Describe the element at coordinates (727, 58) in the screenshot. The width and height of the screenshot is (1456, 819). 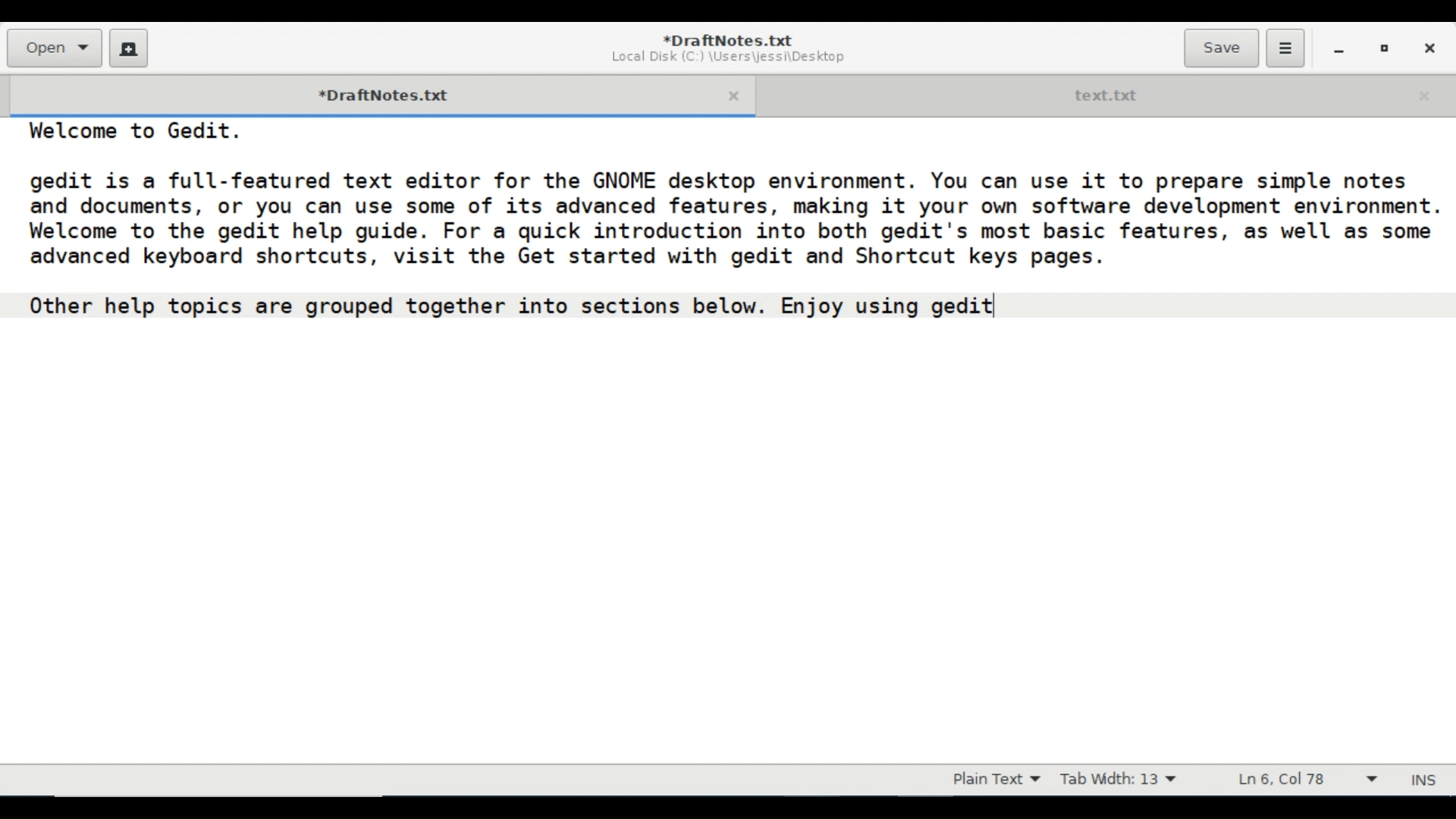
I see `Document Path` at that location.